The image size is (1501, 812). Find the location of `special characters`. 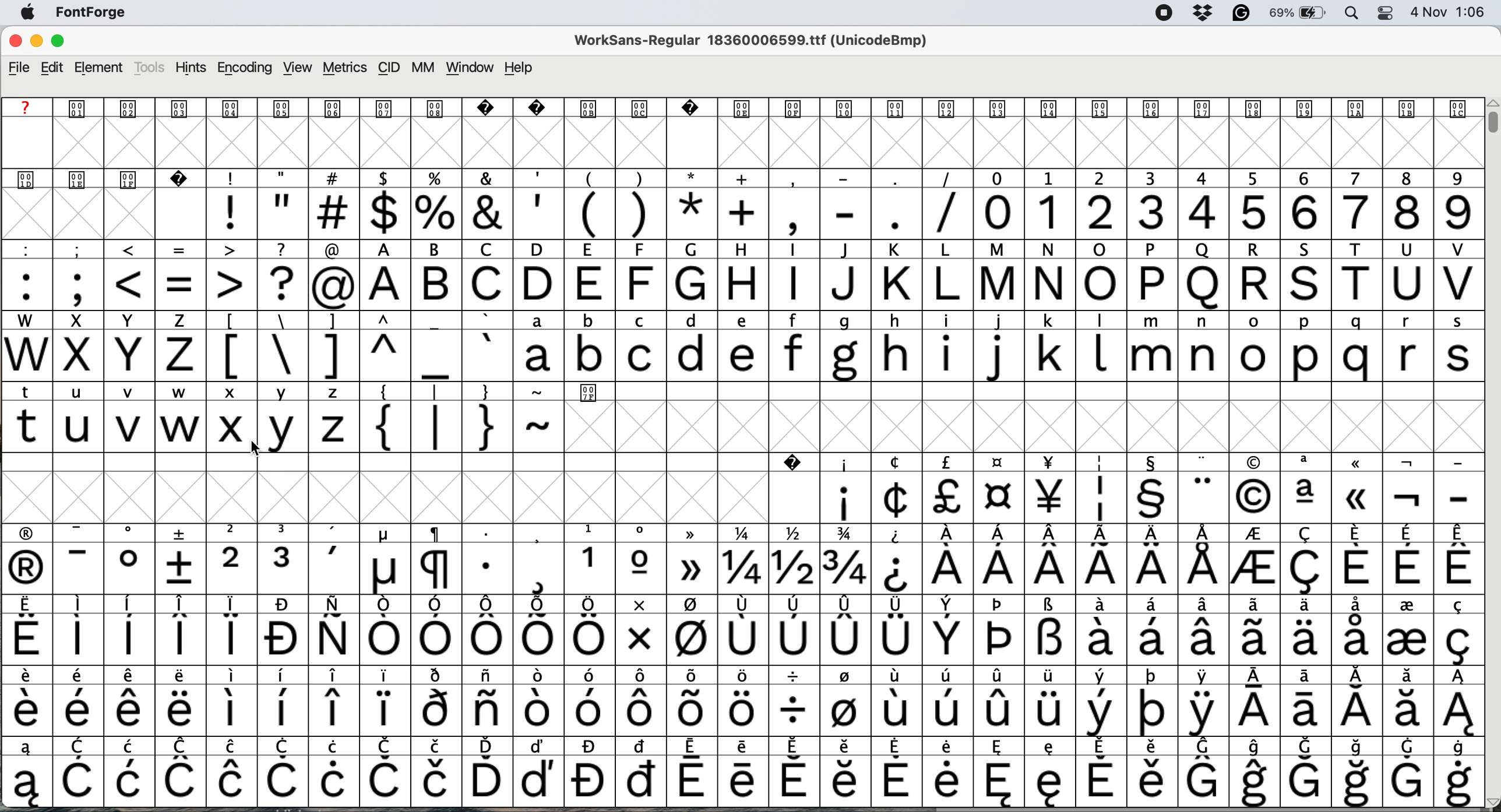

special characters is located at coordinates (742, 676).